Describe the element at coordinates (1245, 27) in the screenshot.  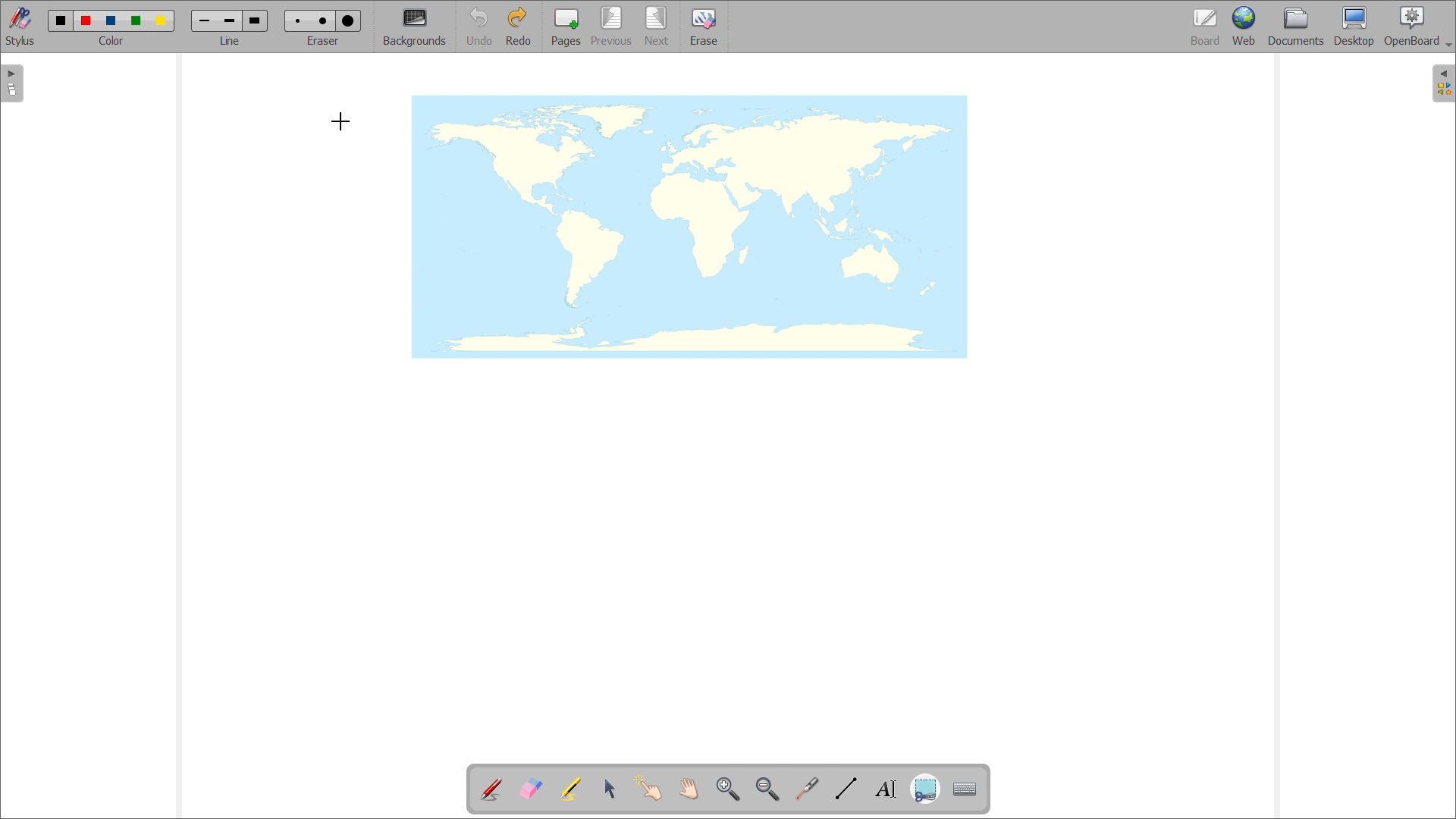
I see `web` at that location.